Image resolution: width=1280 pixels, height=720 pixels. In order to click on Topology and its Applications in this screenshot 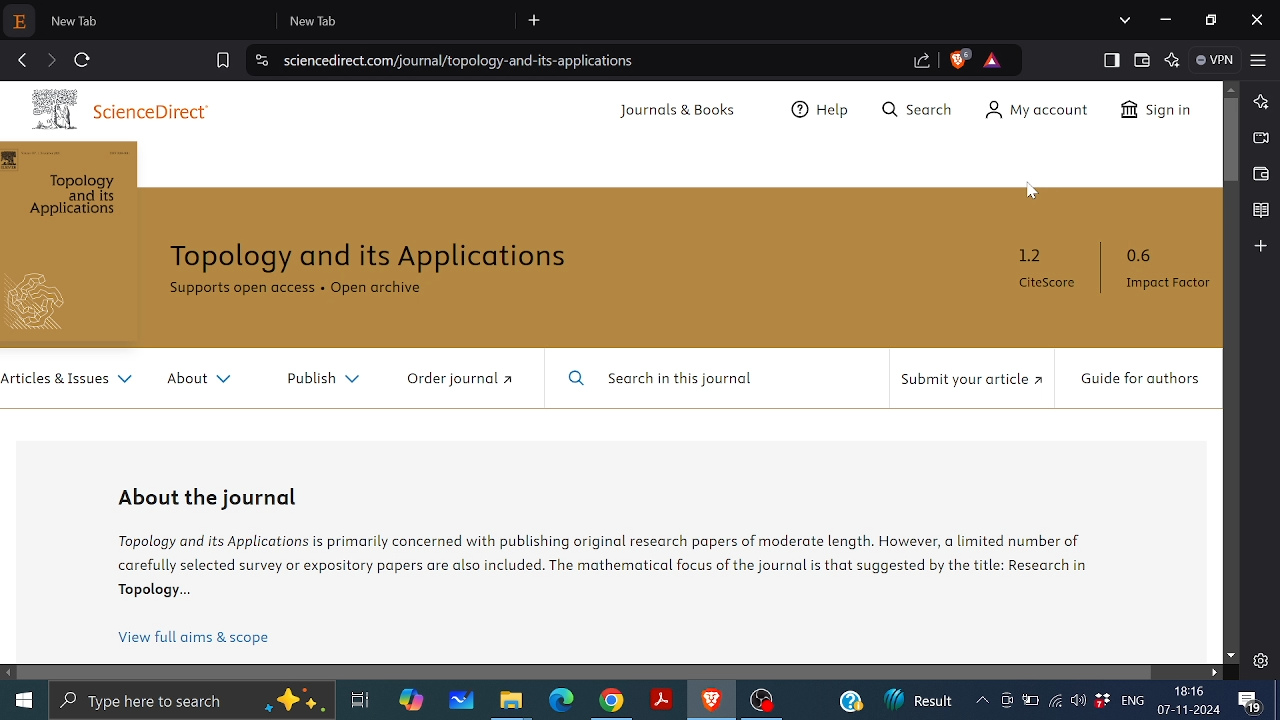, I will do `click(69, 197)`.